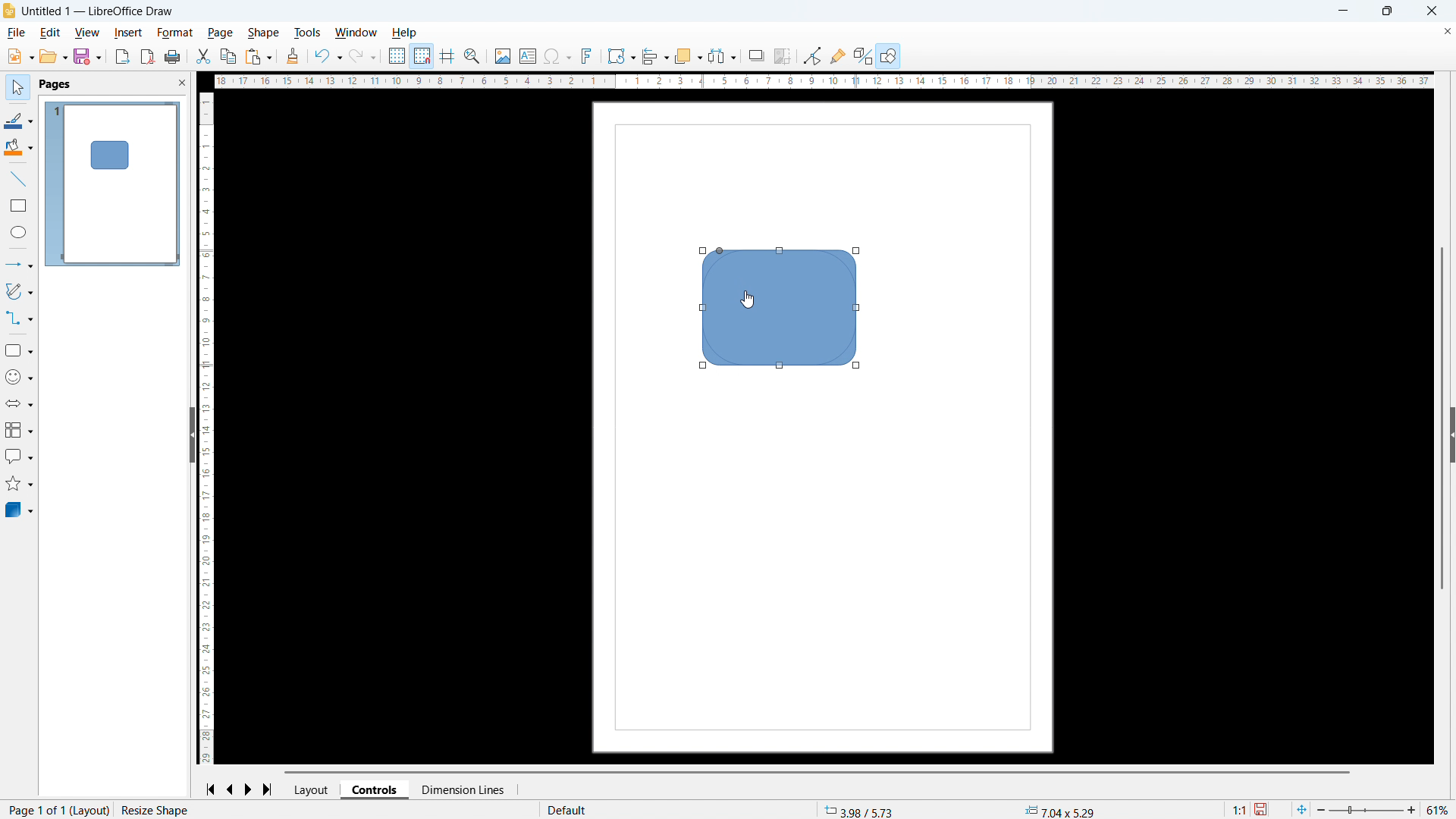 The height and width of the screenshot is (819, 1456). I want to click on maximise , so click(1386, 11).